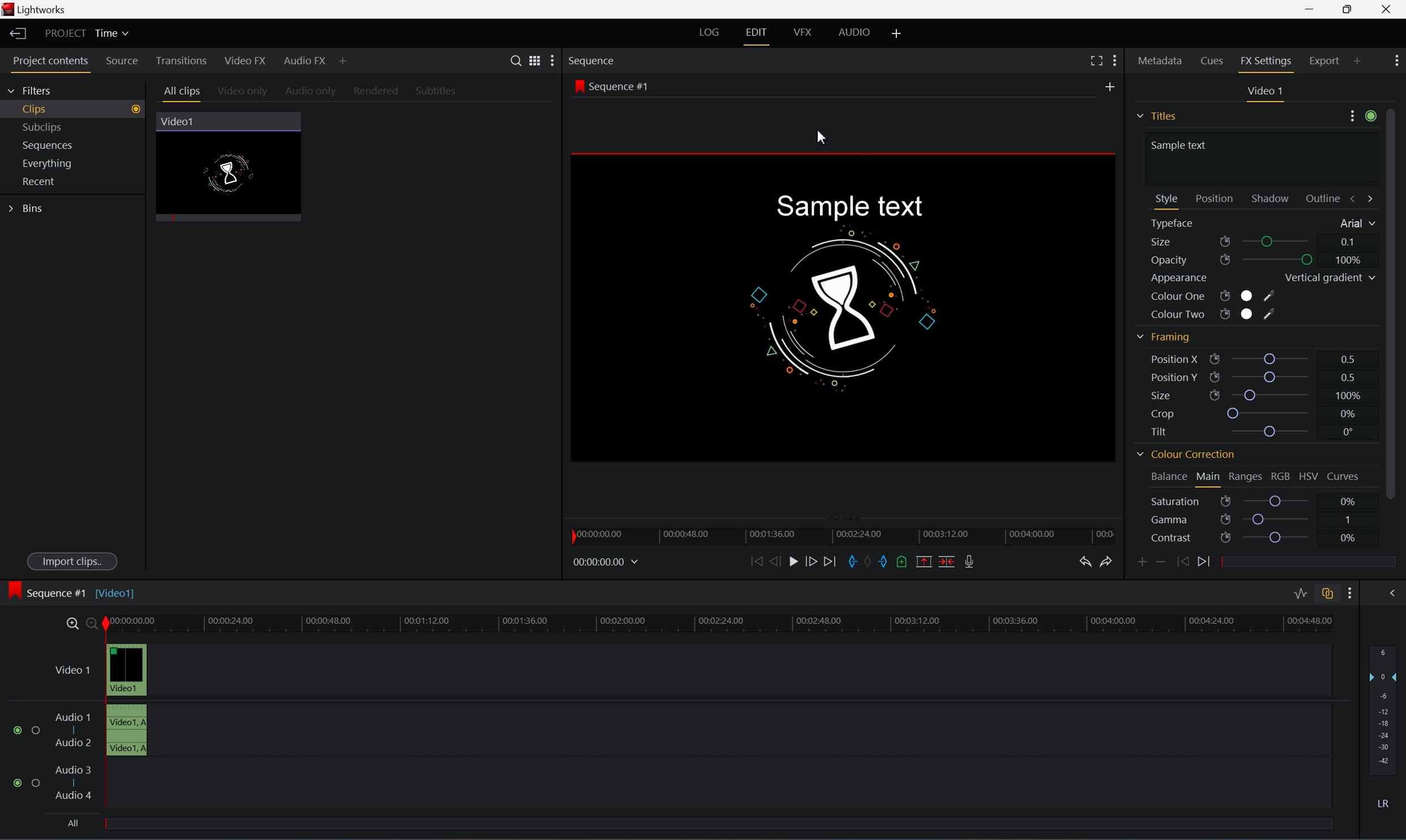 This screenshot has width=1406, height=840. Describe the element at coordinates (606, 561) in the screenshot. I see `Frame time` at that location.